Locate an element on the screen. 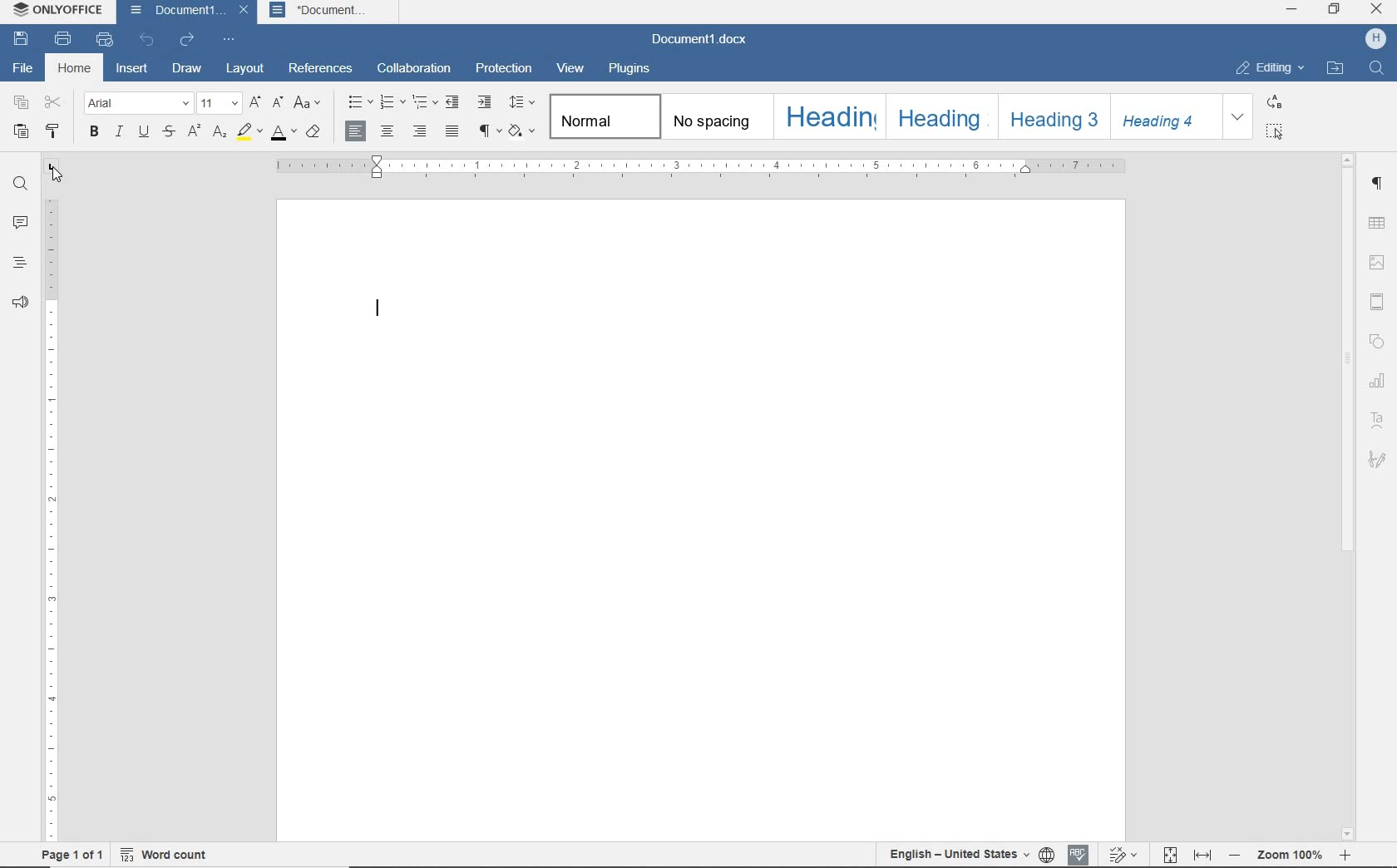  RESTORE DOWN is located at coordinates (1334, 11).